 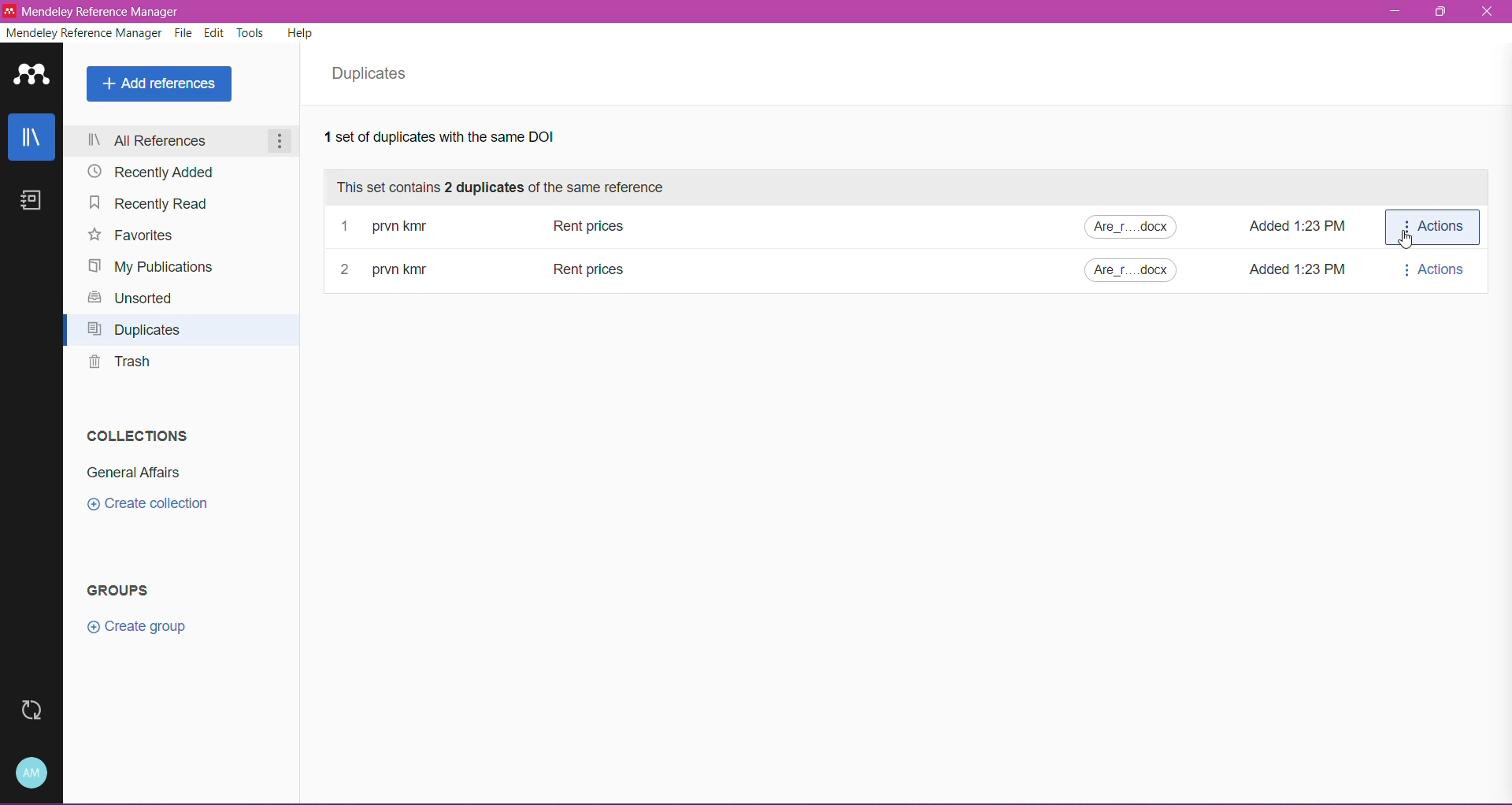 I want to click on My Publications, so click(x=152, y=266).